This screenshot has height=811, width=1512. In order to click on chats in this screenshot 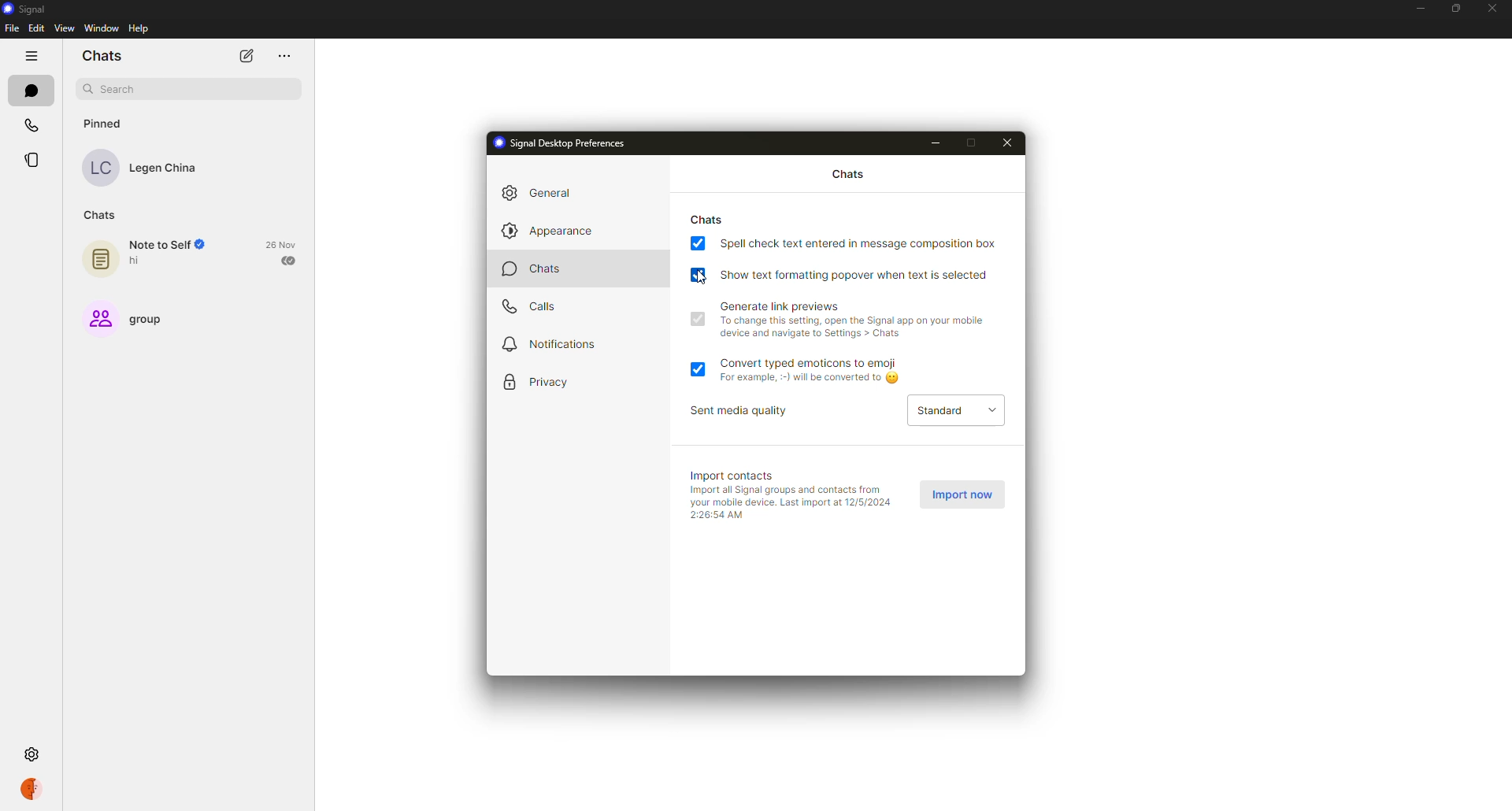, I will do `click(844, 175)`.